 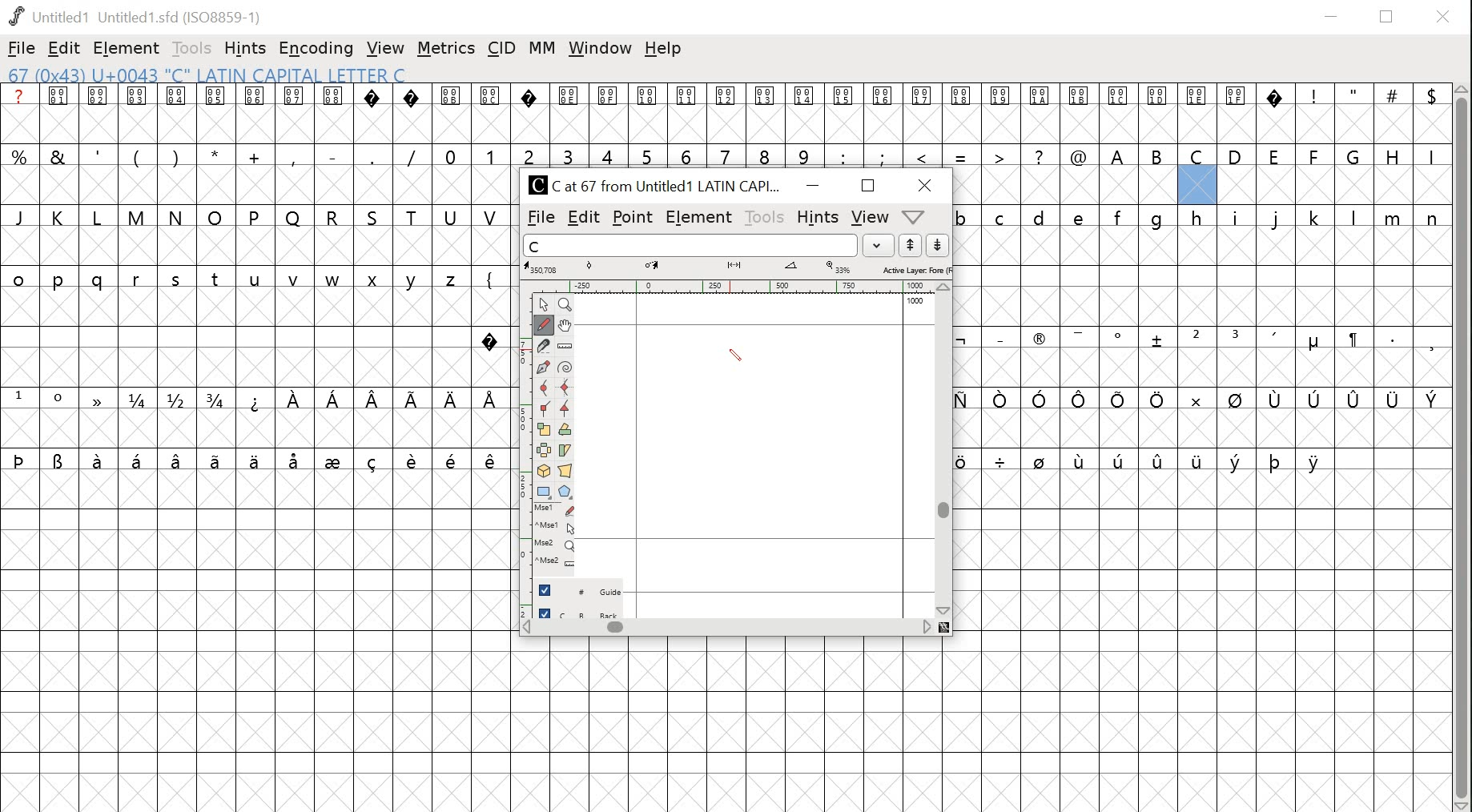 What do you see at coordinates (566, 430) in the screenshot?
I see `rotate` at bounding box center [566, 430].